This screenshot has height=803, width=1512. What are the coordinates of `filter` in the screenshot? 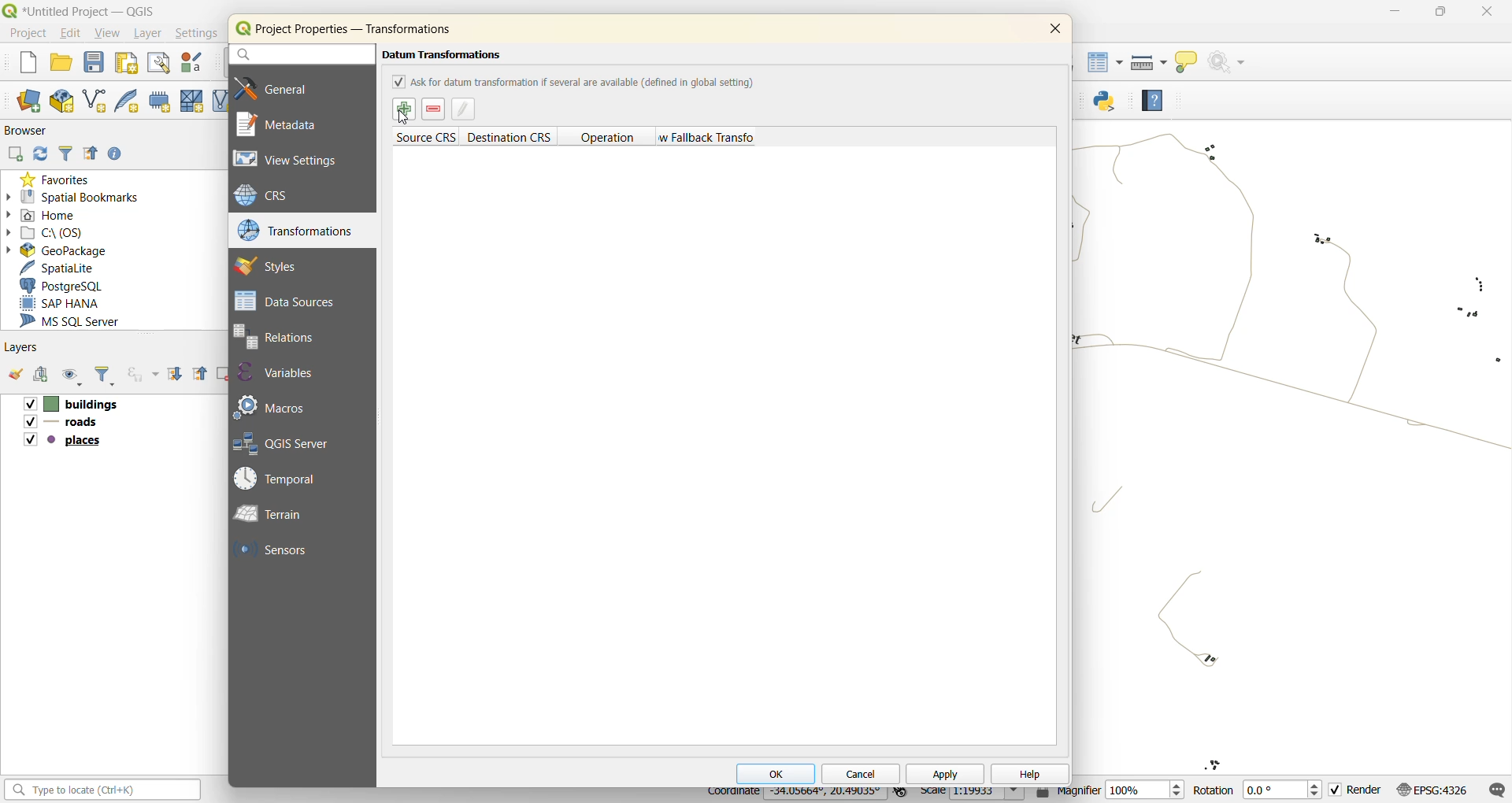 It's located at (67, 154).